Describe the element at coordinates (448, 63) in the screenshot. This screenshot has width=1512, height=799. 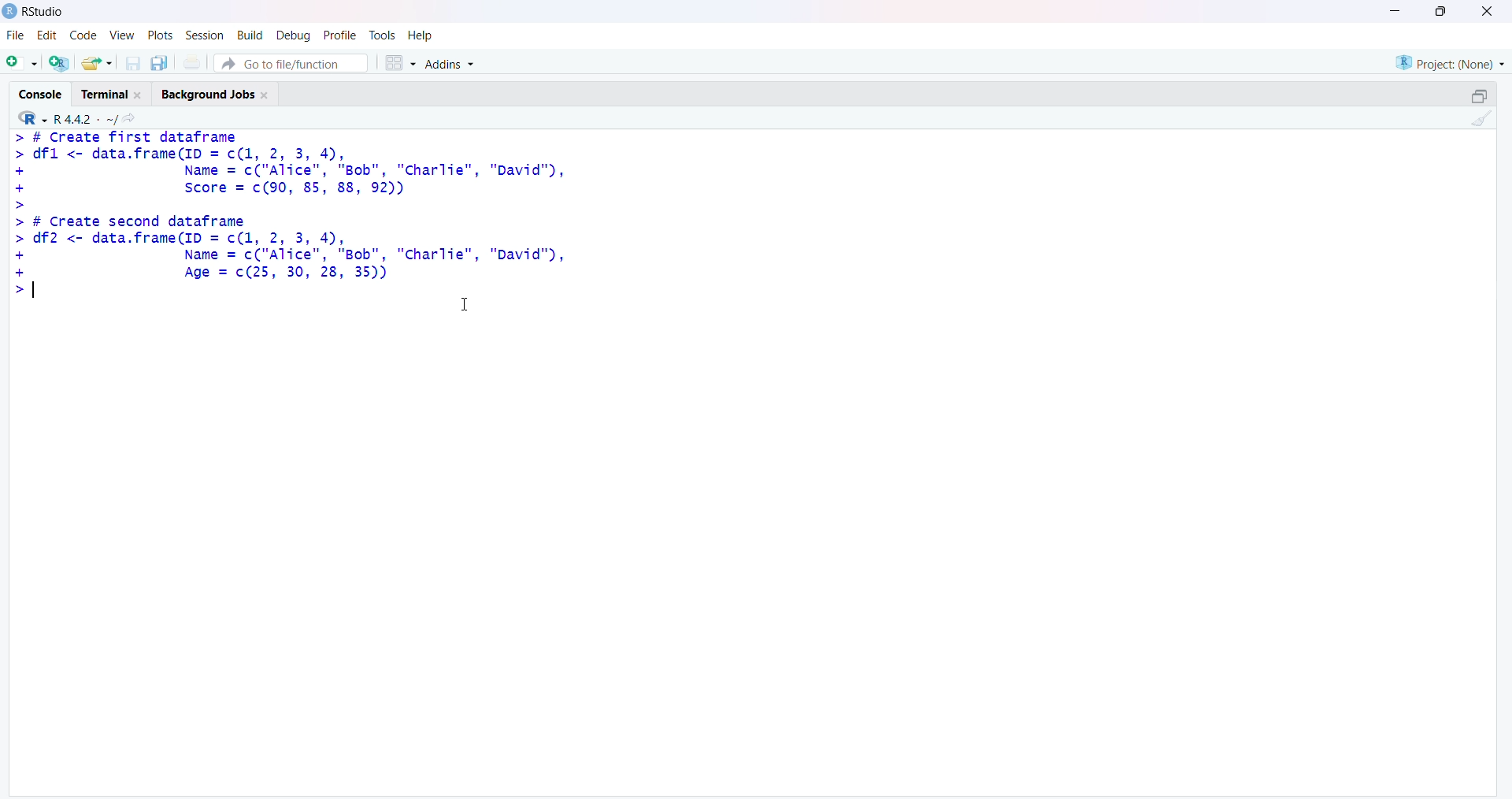
I see `Addins ` at that location.